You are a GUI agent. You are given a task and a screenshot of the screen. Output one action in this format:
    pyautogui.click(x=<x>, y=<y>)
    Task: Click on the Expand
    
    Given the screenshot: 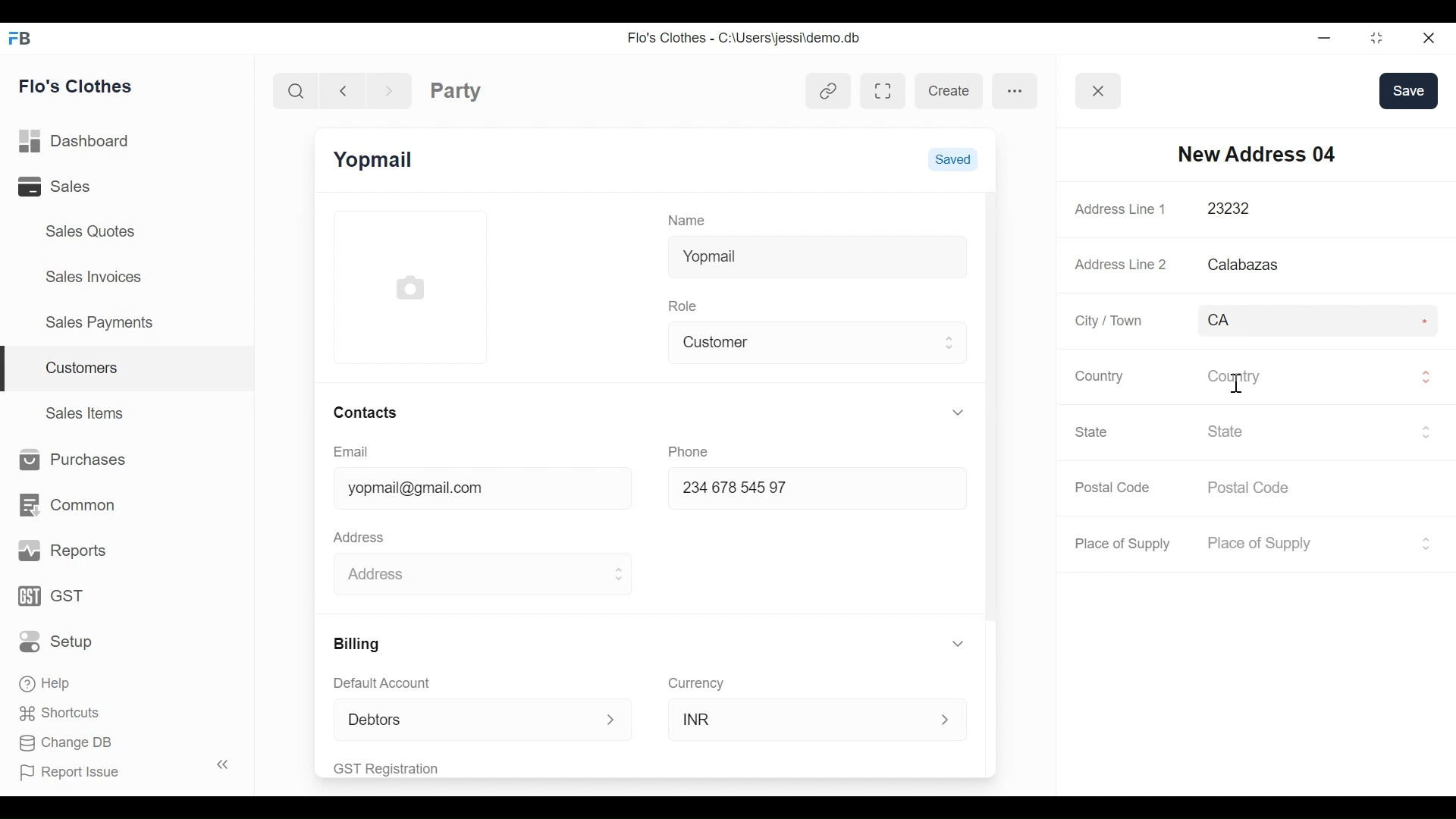 What is the action you would take?
    pyautogui.click(x=1426, y=377)
    